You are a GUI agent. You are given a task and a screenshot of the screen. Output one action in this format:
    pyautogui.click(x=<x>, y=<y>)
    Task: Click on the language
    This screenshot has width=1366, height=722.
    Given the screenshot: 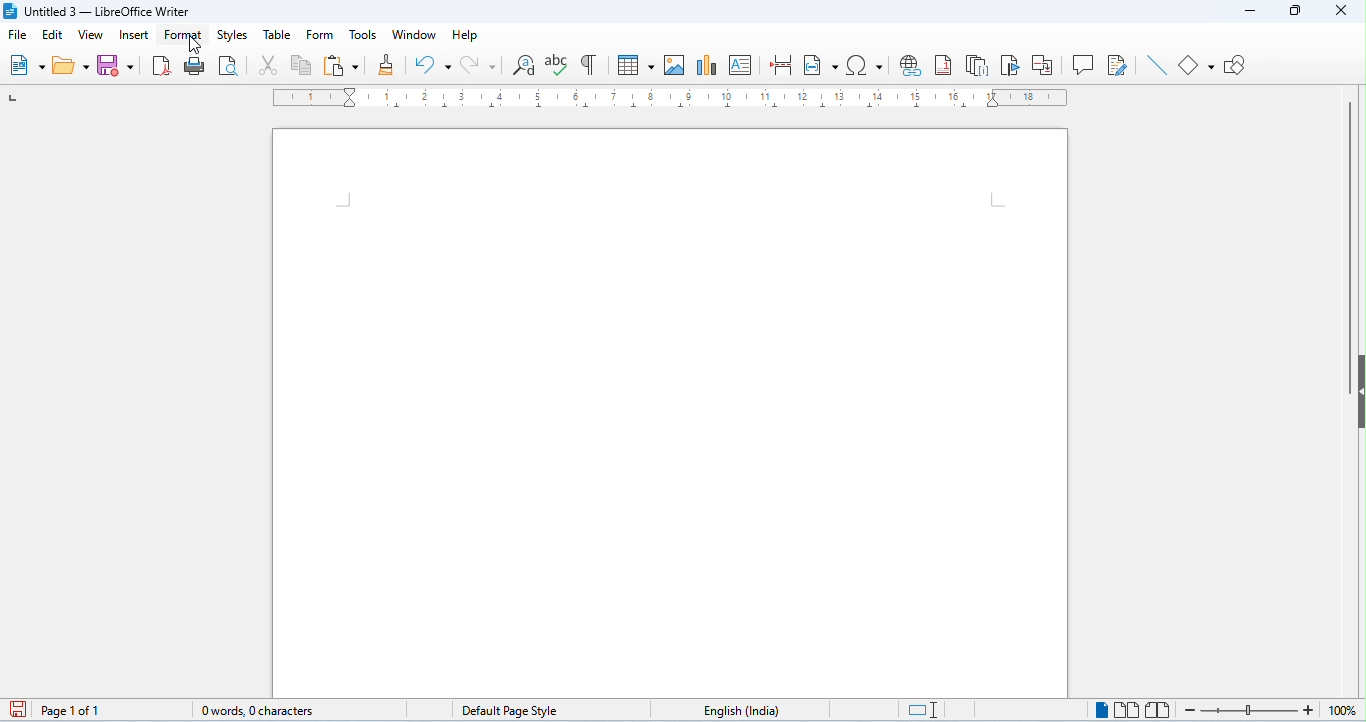 What is the action you would take?
    pyautogui.click(x=734, y=708)
    